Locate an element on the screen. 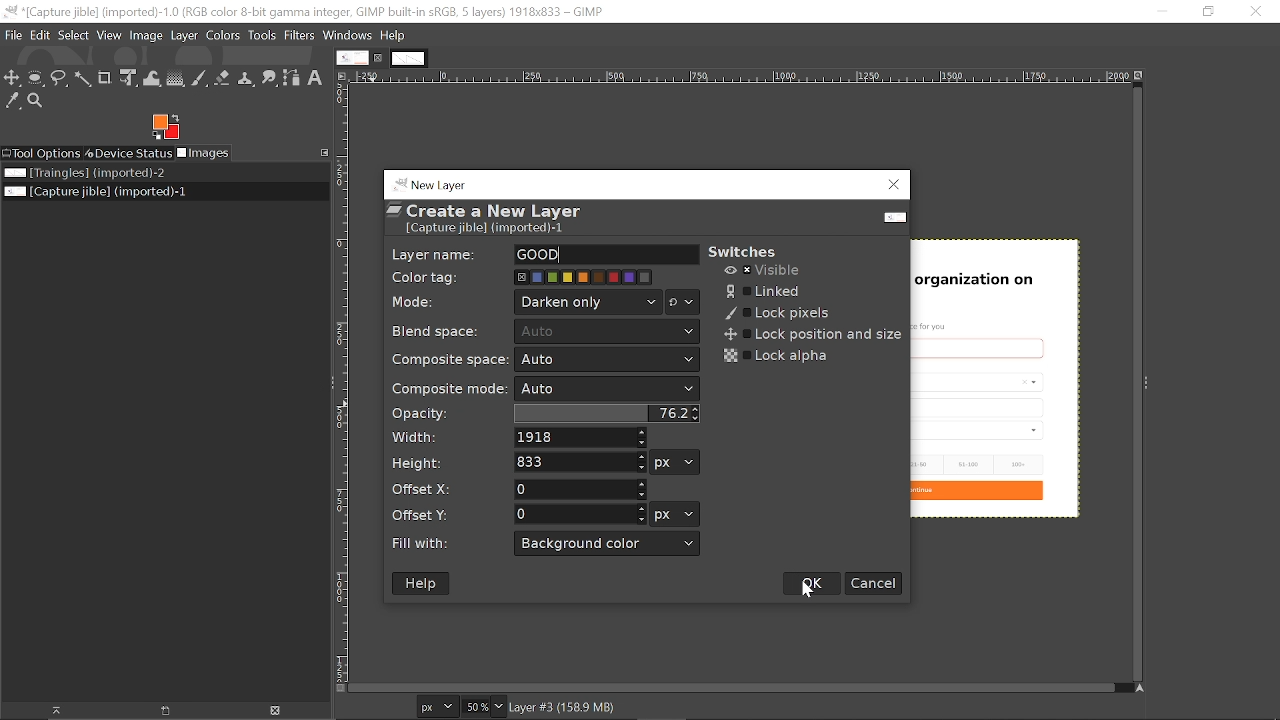 The width and height of the screenshot is (1280, 720). Device status is located at coordinates (129, 154).